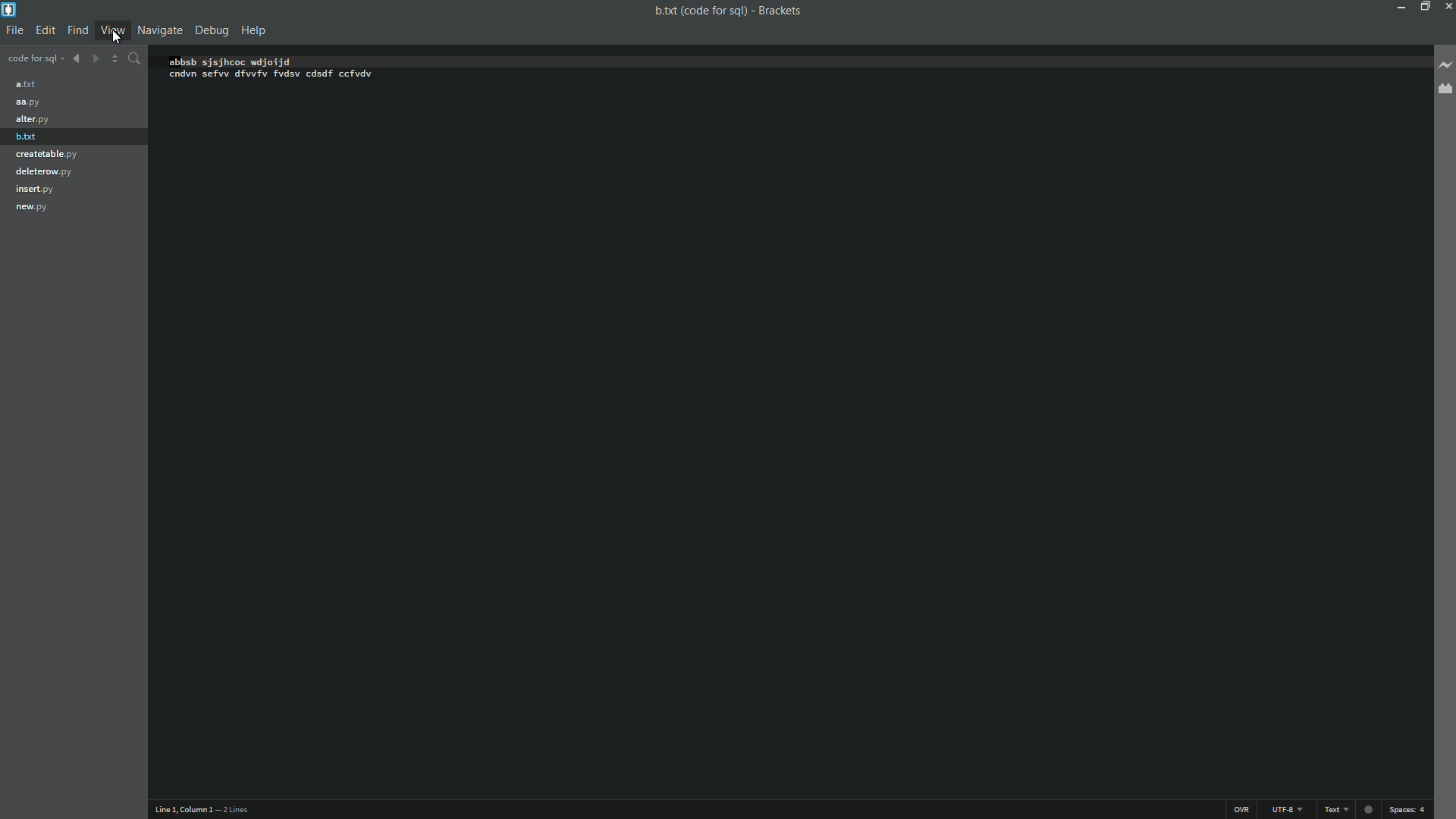  What do you see at coordinates (9, 8) in the screenshot?
I see `App icon` at bounding box center [9, 8].